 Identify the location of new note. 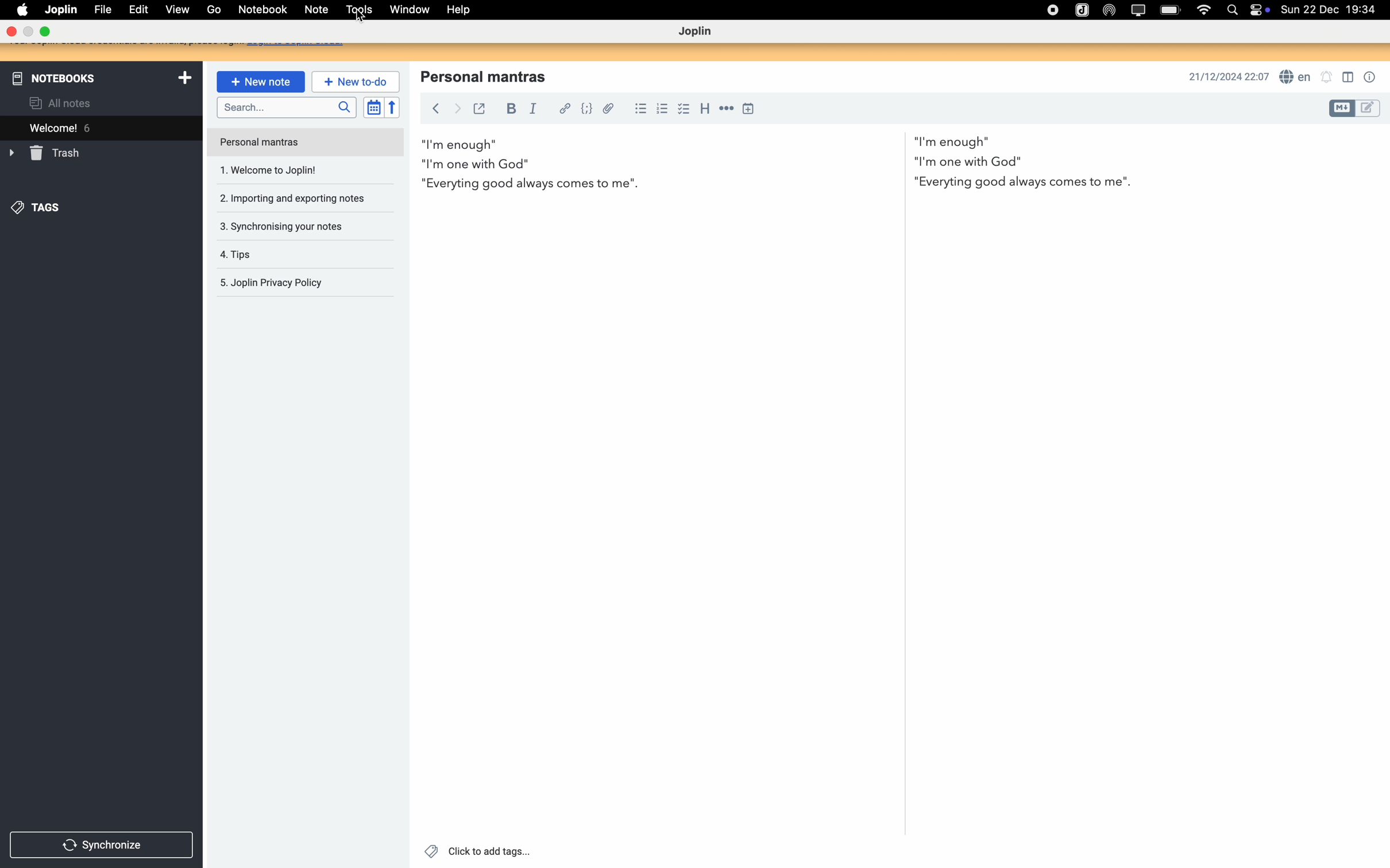
(261, 82).